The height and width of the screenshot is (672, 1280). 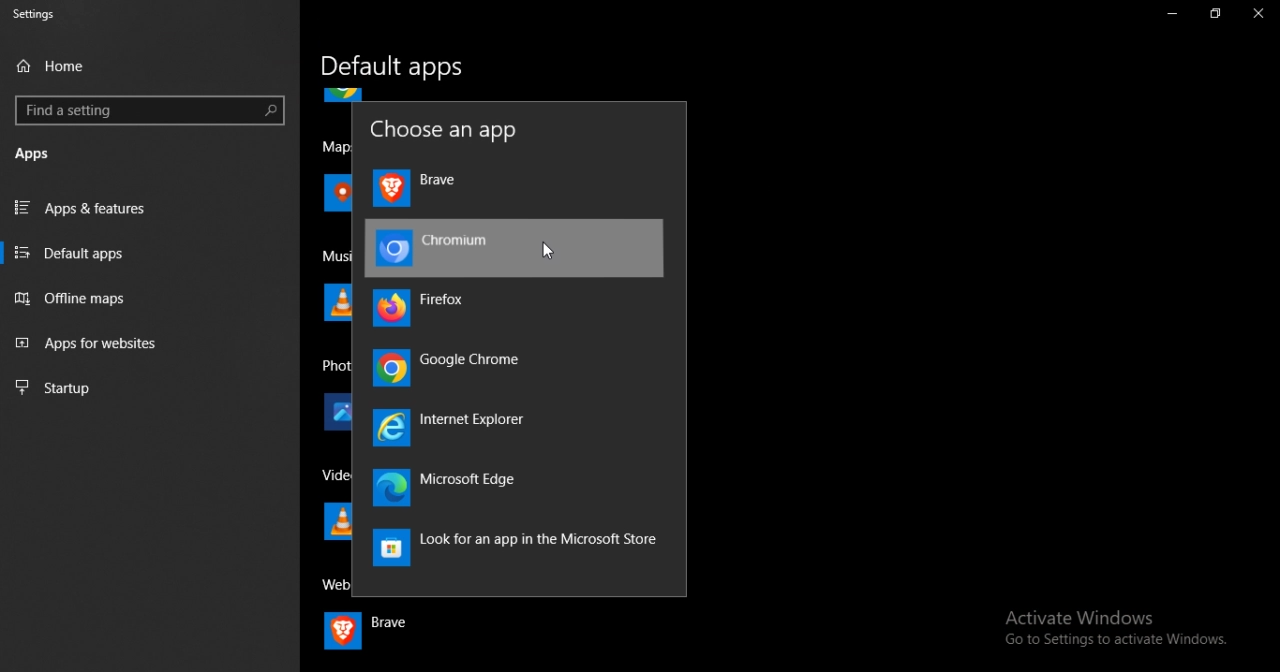 I want to click on Activate Windows
Go to Settings to activate Windows., so click(x=1111, y=629).